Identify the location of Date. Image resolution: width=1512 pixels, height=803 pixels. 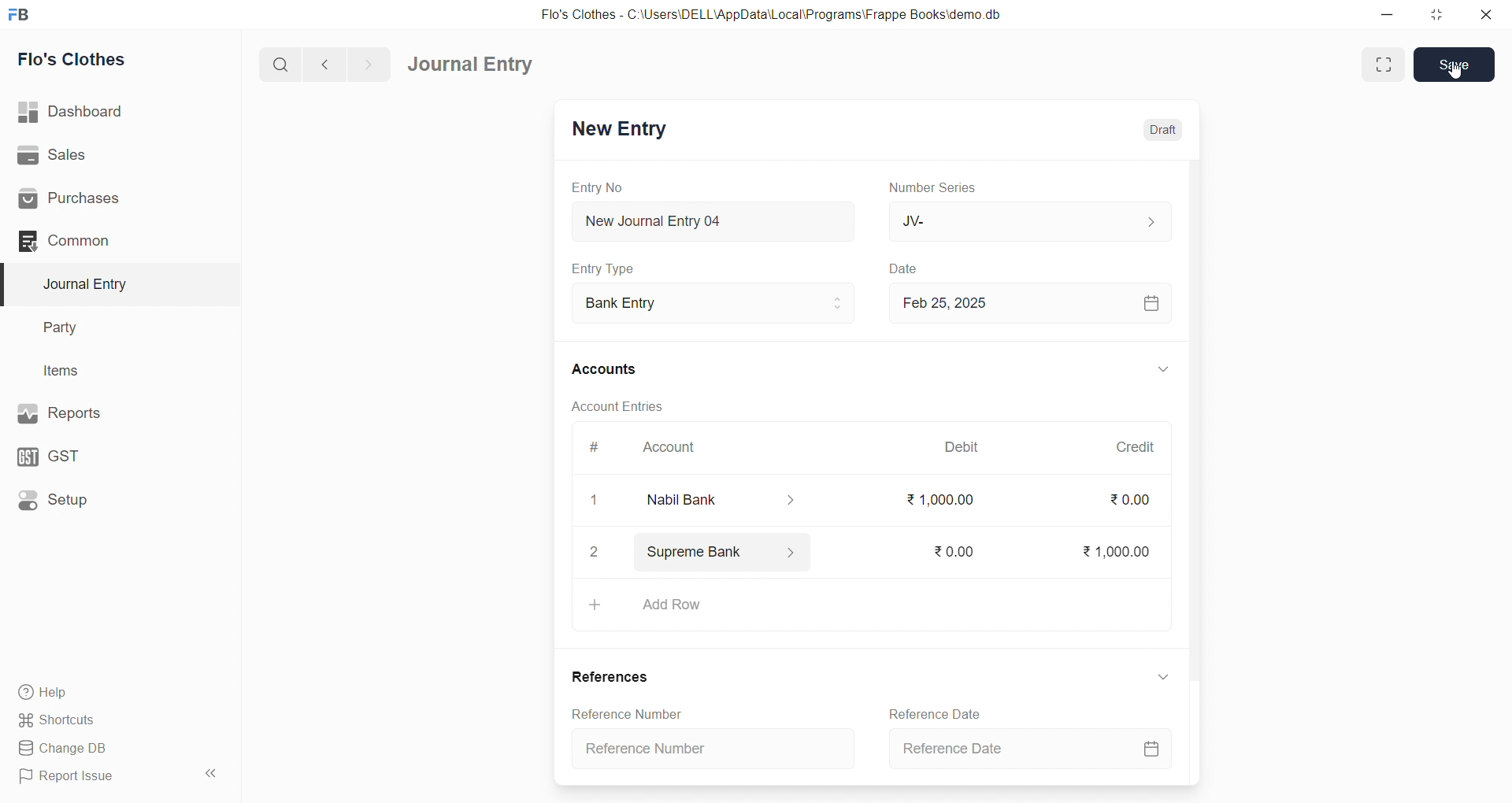
(906, 269).